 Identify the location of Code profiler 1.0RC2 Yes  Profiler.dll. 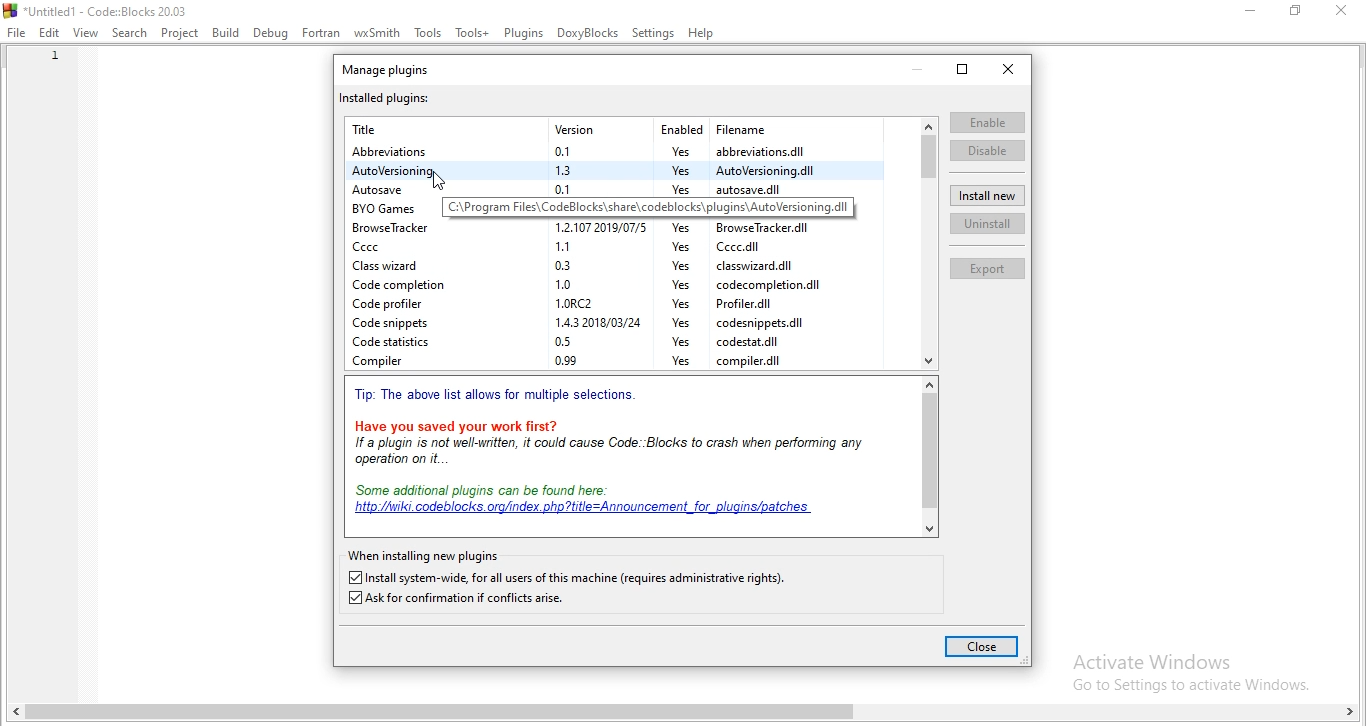
(563, 305).